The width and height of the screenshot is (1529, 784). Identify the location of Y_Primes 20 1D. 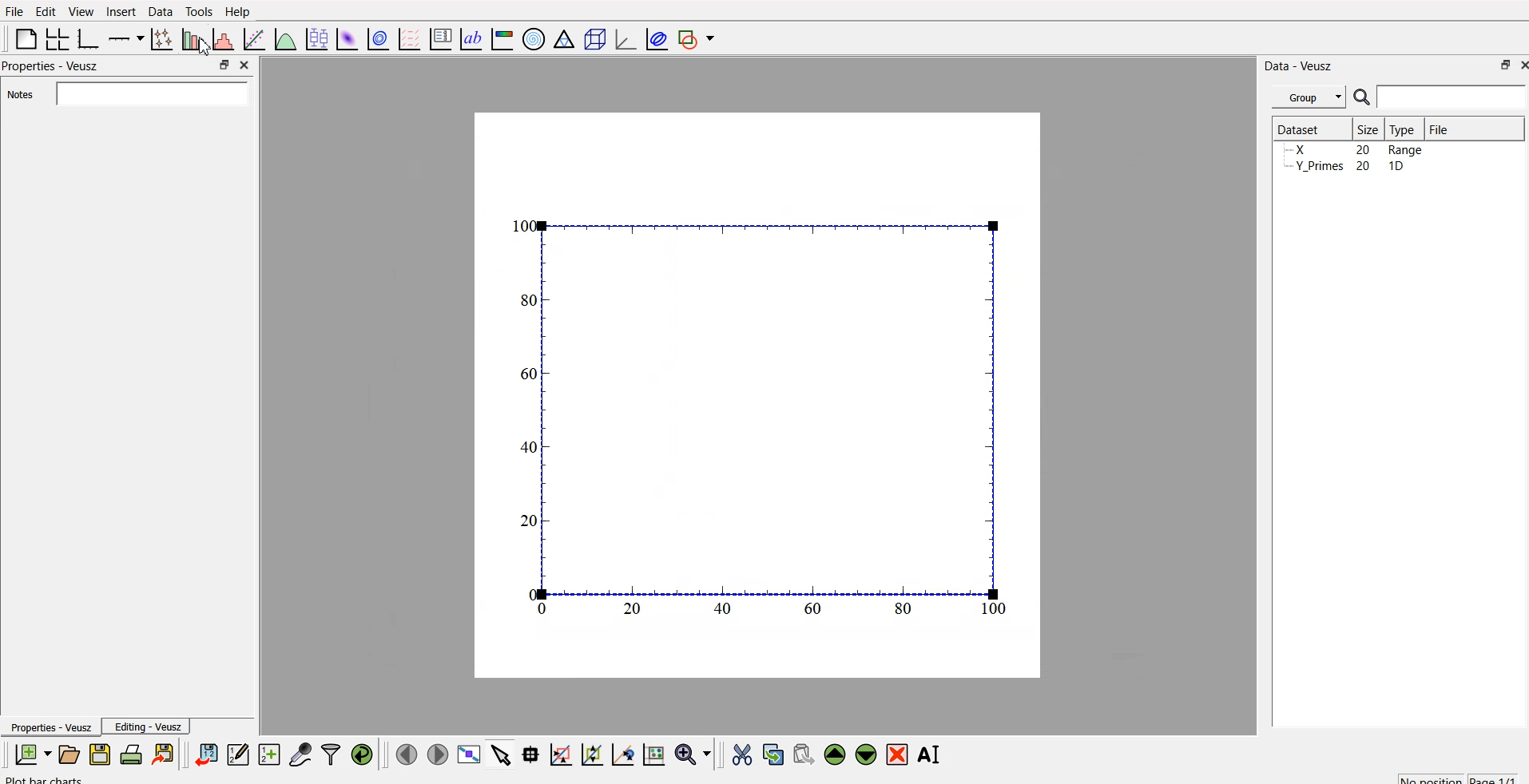
(1344, 151).